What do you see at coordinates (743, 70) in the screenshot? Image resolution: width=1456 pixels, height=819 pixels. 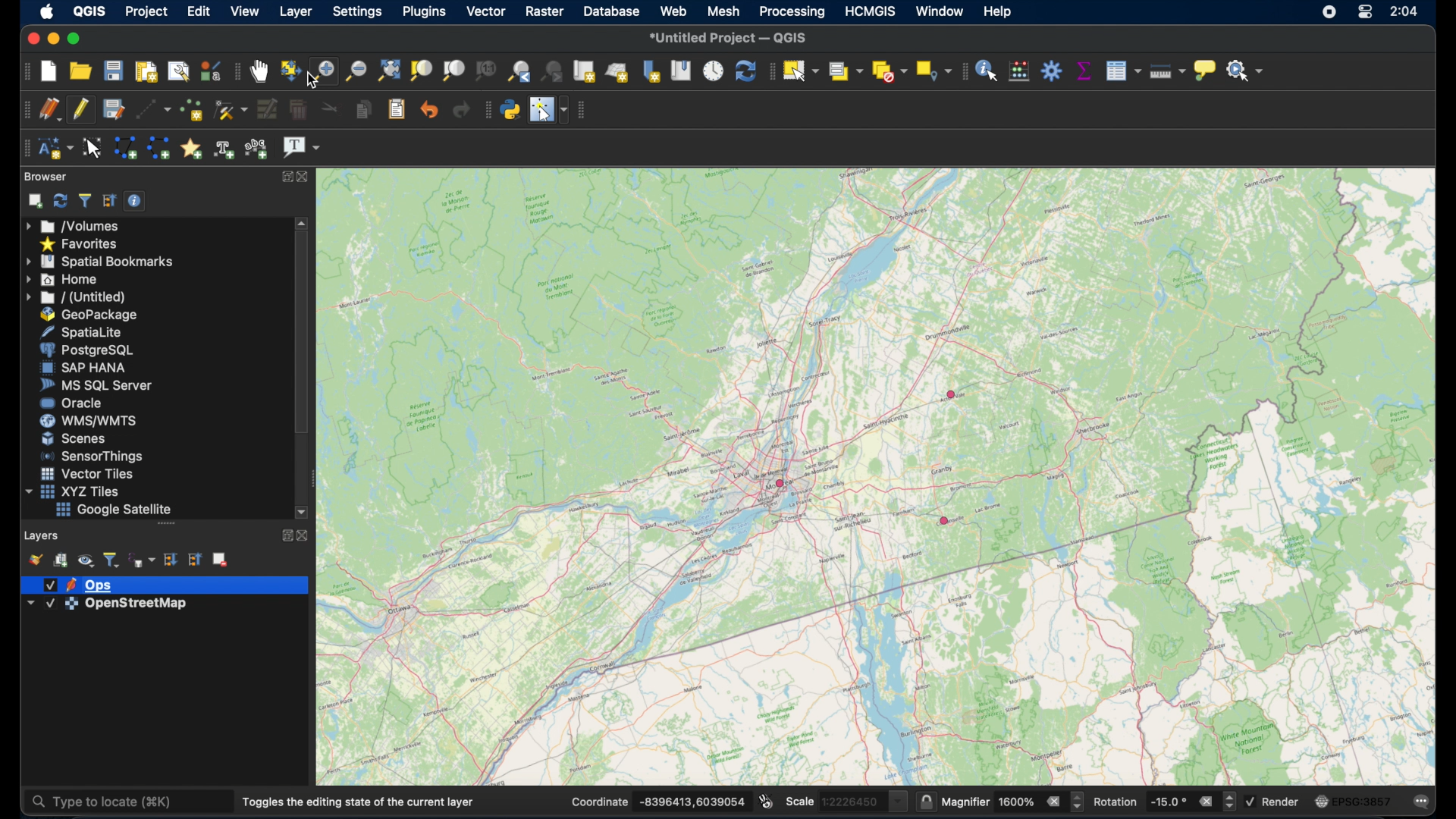 I see `refresh` at bounding box center [743, 70].